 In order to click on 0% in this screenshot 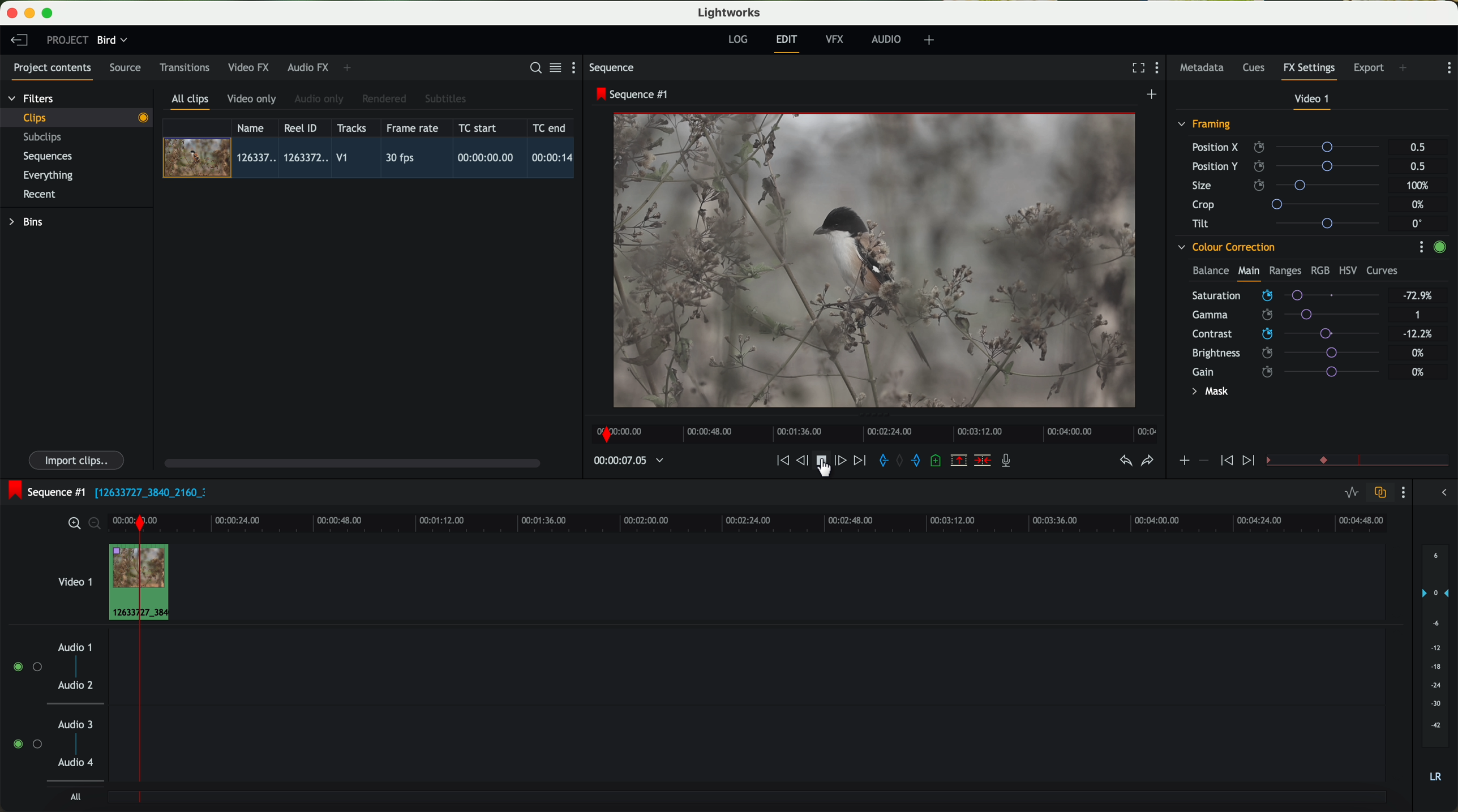, I will do `click(1418, 351)`.